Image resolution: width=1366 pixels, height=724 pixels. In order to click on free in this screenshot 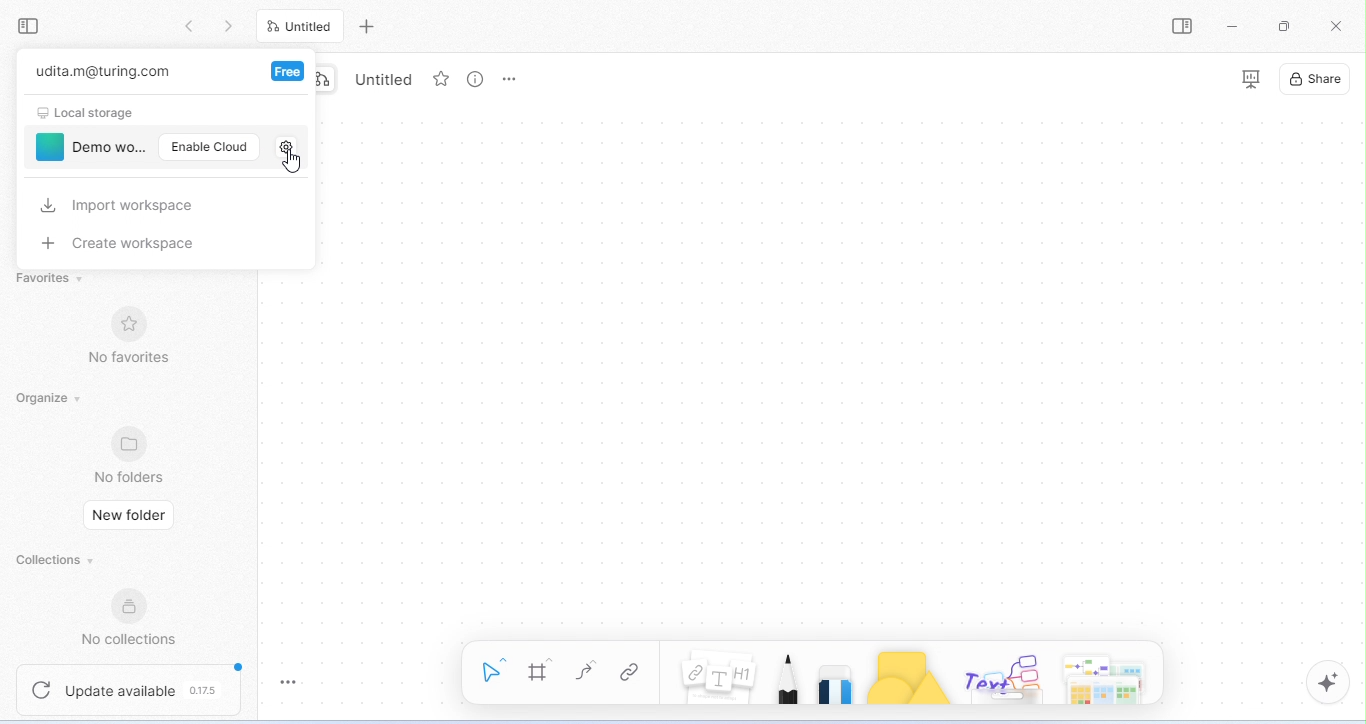, I will do `click(288, 70)`.